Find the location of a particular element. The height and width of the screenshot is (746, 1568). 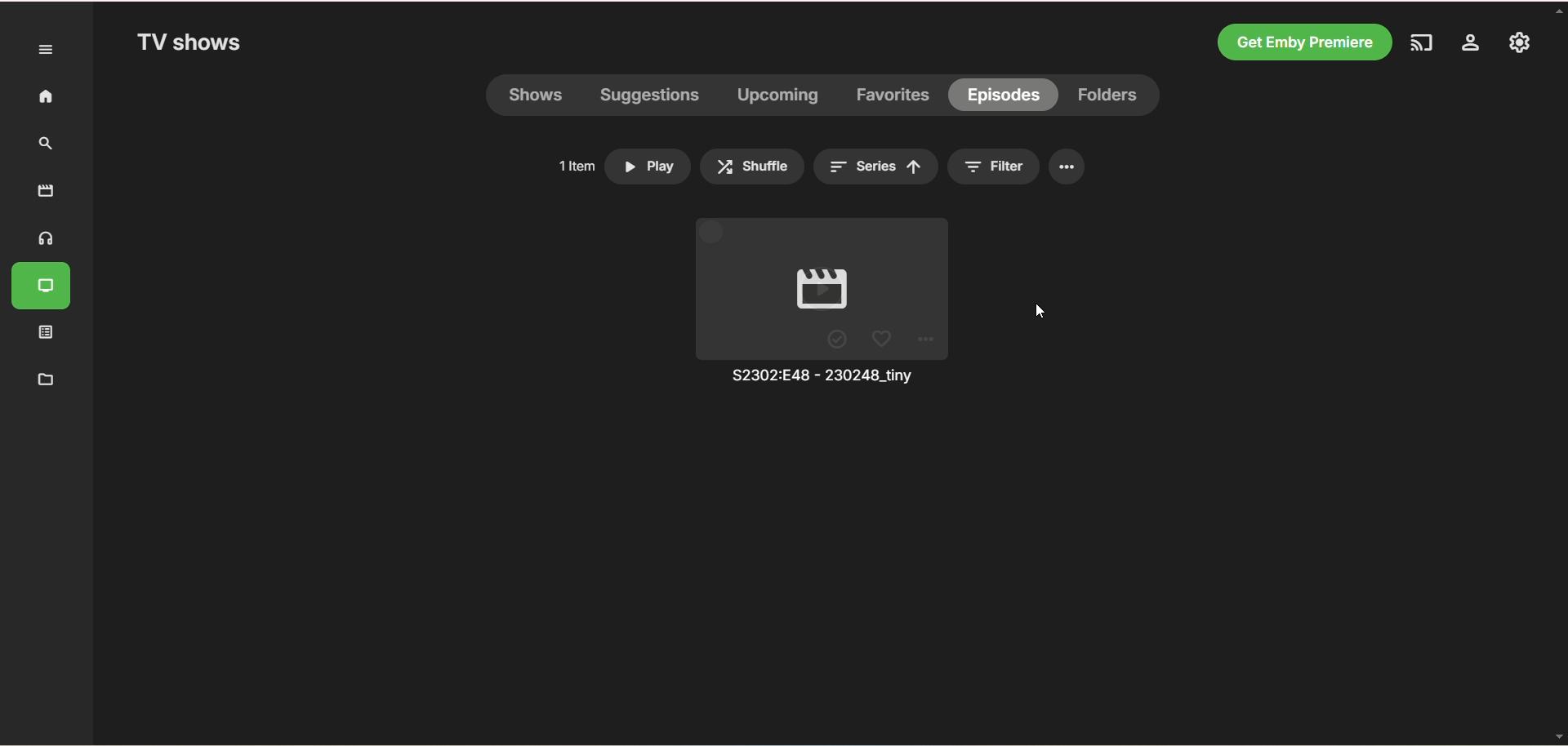

manage emby server is located at coordinates (1518, 42).